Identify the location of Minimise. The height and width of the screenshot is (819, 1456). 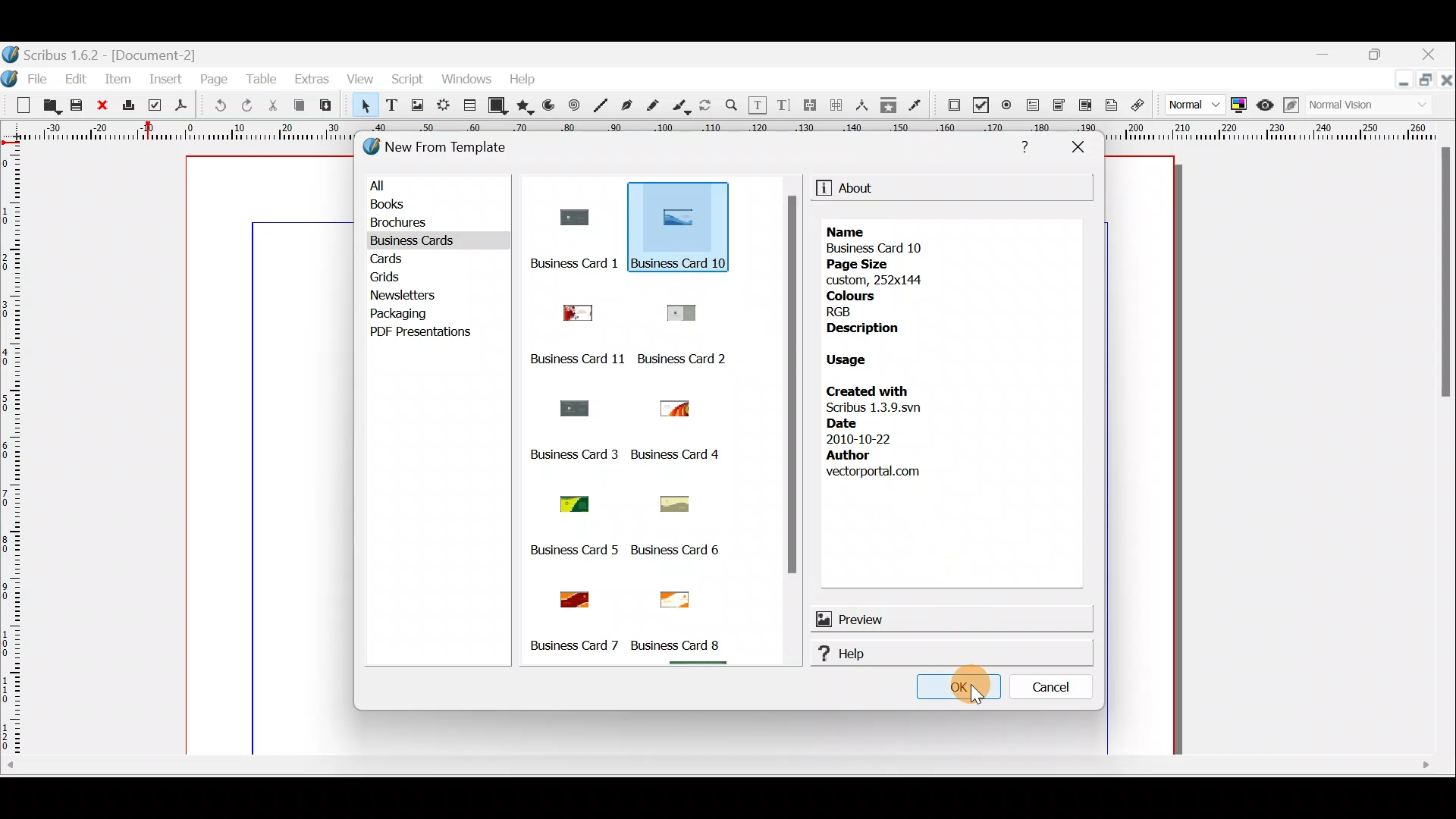
(1328, 58).